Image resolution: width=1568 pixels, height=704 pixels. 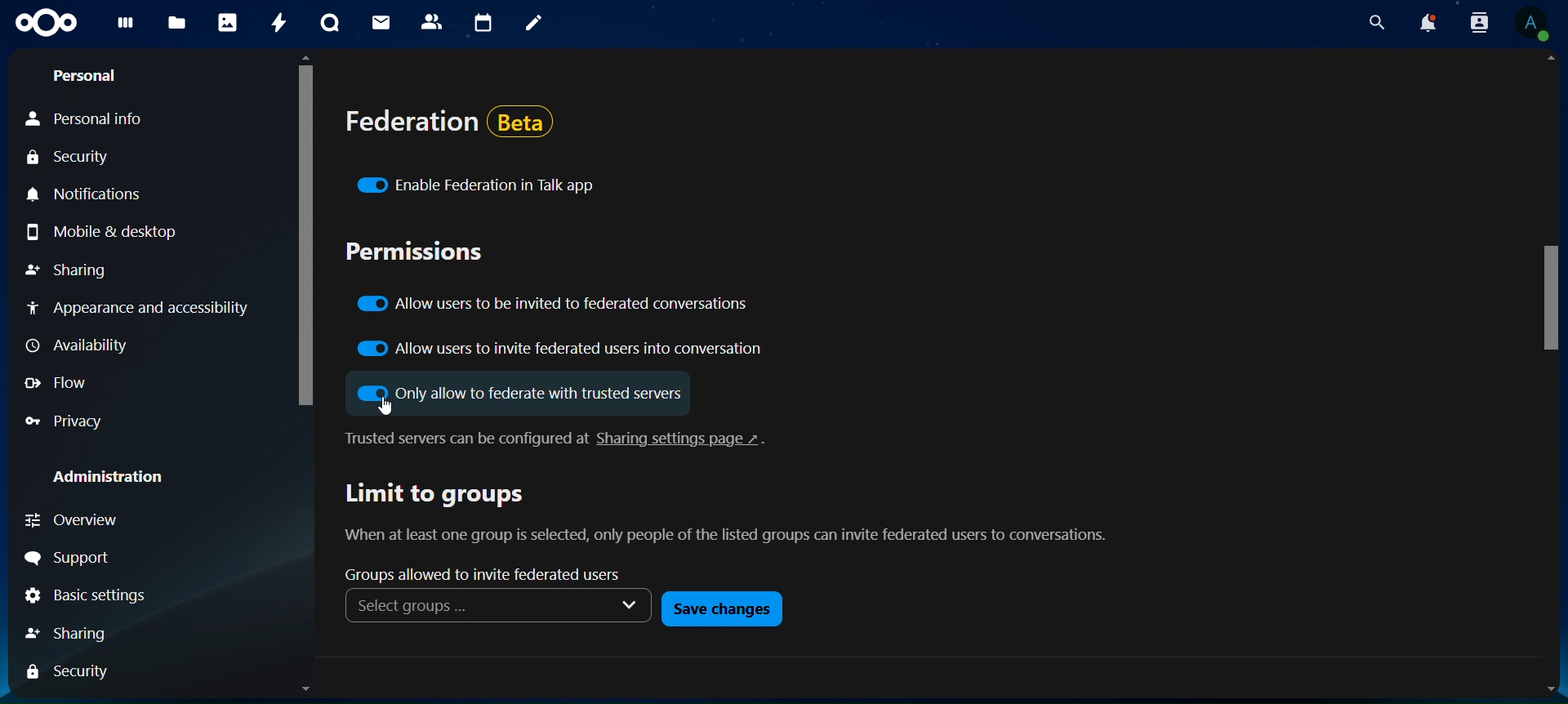 What do you see at coordinates (229, 23) in the screenshot?
I see `photos` at bounding box center [229, 23].